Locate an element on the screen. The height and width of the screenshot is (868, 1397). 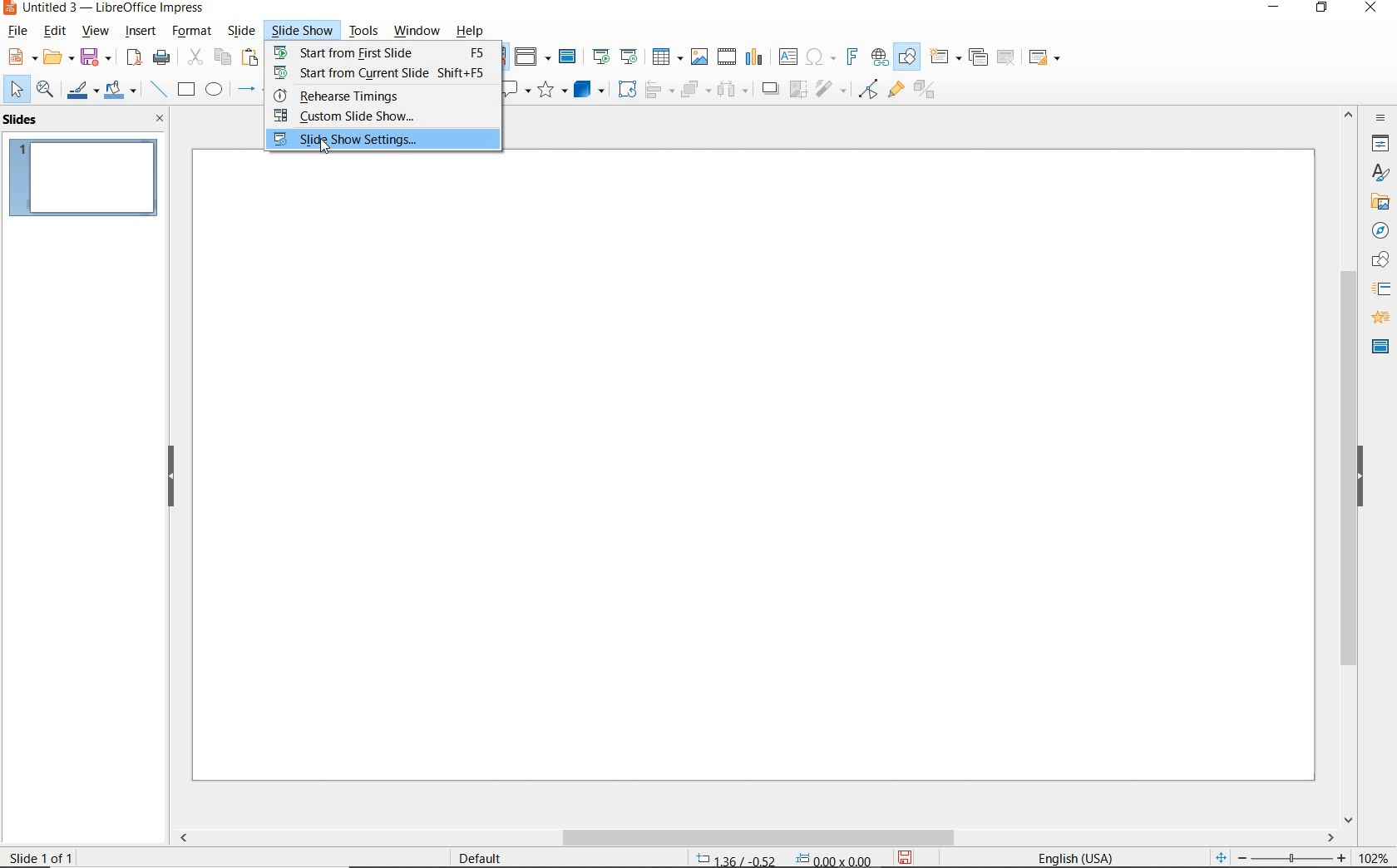
FILL COLOR is located at coordinates (120, 91).